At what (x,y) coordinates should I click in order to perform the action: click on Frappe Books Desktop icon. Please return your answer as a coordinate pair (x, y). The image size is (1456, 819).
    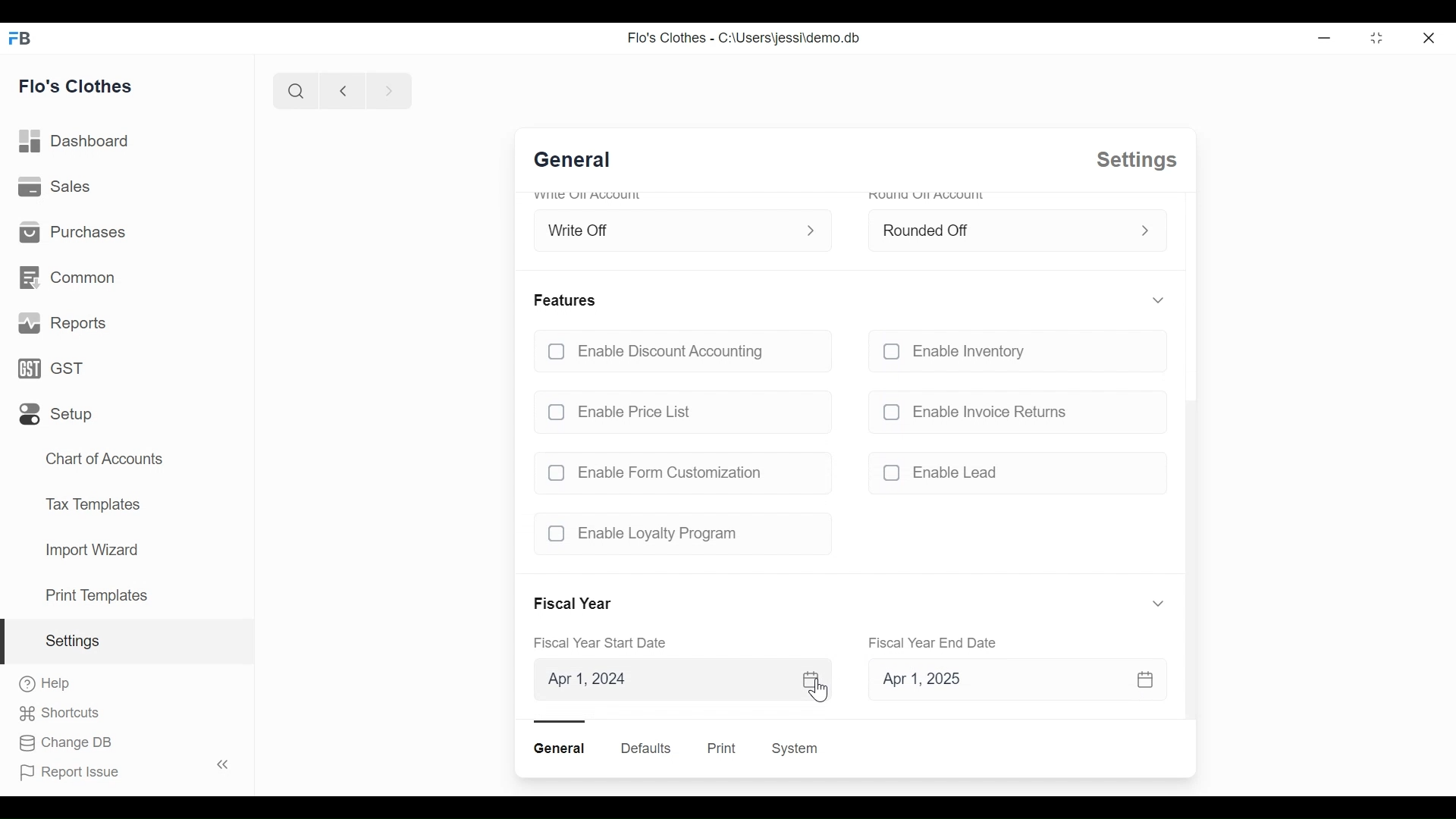
    Looking at the image, I should click on (24, 37).